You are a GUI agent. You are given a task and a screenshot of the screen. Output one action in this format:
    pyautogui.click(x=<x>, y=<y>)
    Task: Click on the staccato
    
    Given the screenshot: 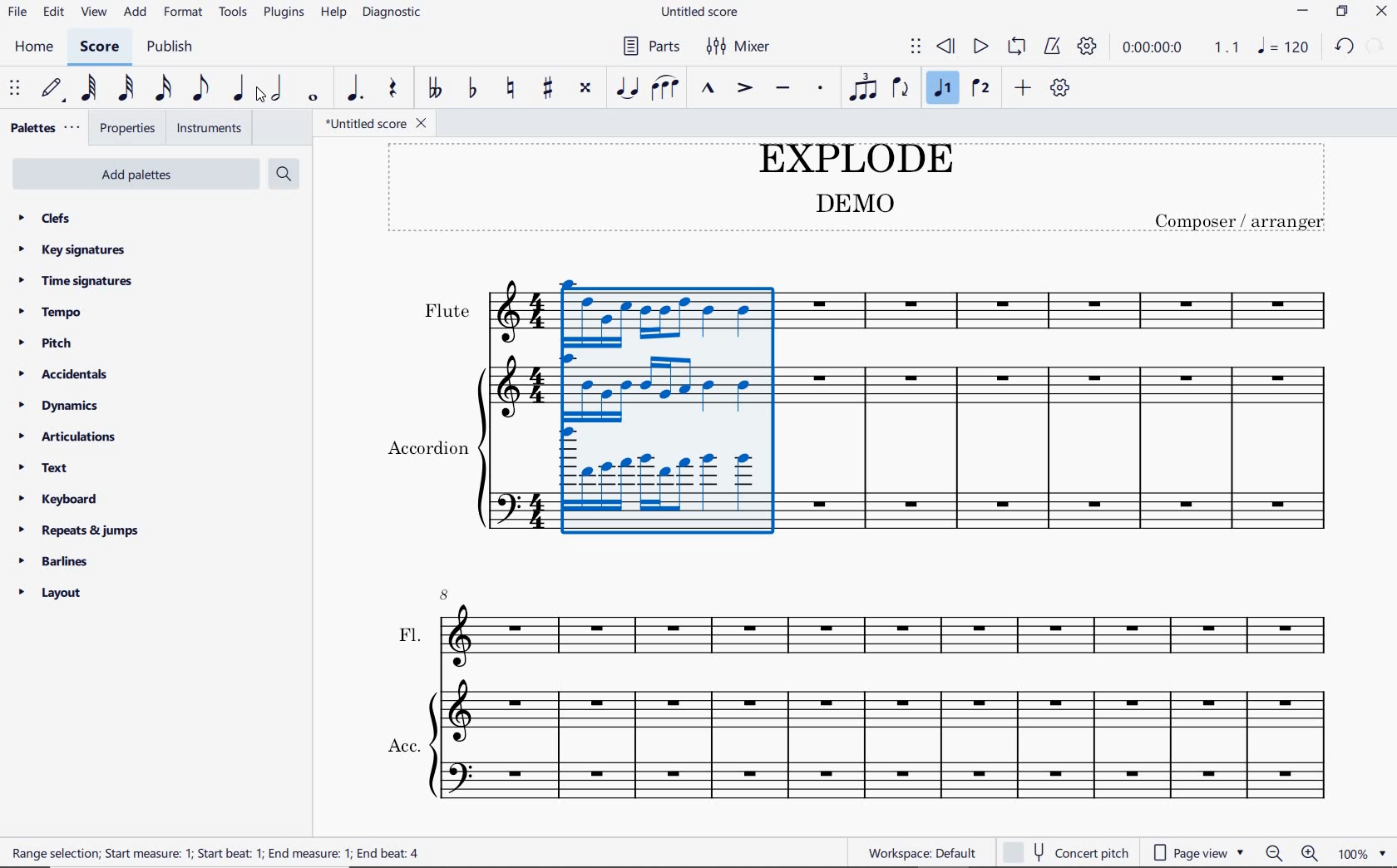 What is the action you would take?
    pyautogui.click(x=820, y=89)
    